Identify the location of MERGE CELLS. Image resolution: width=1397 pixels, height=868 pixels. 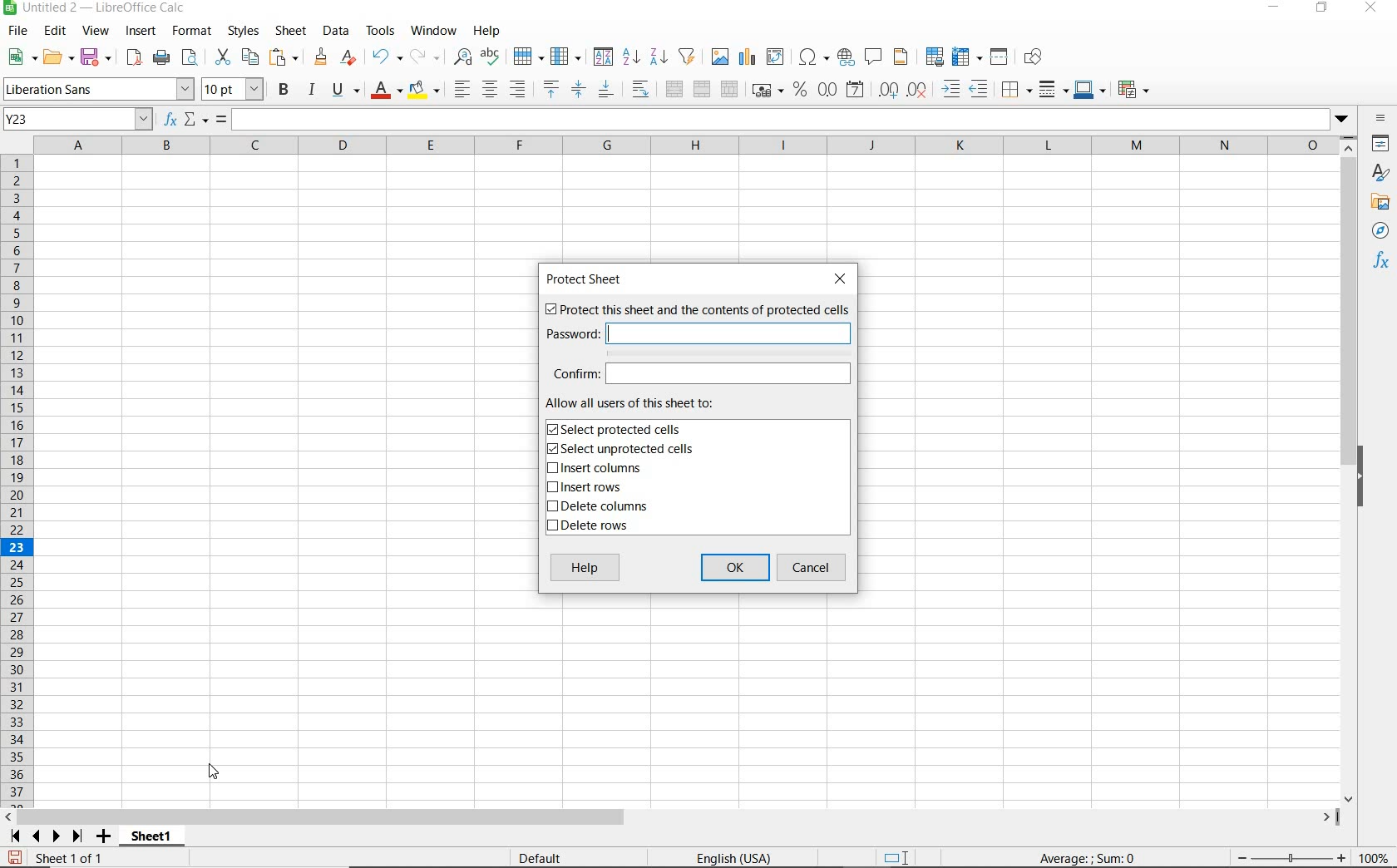
(702, 90).